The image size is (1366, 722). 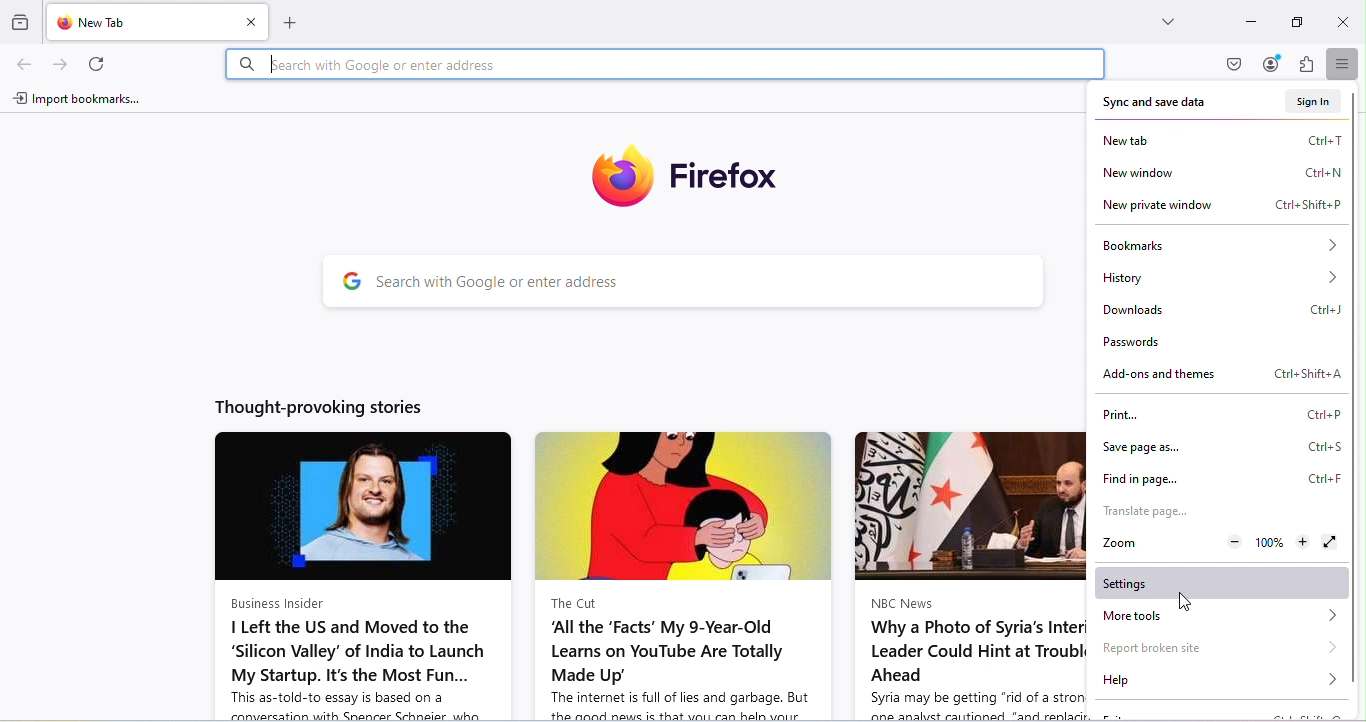 What do you see at coordinates (352, 576) in the screenshot?
I see `News article from business insider` at bounding box center [352, 576].